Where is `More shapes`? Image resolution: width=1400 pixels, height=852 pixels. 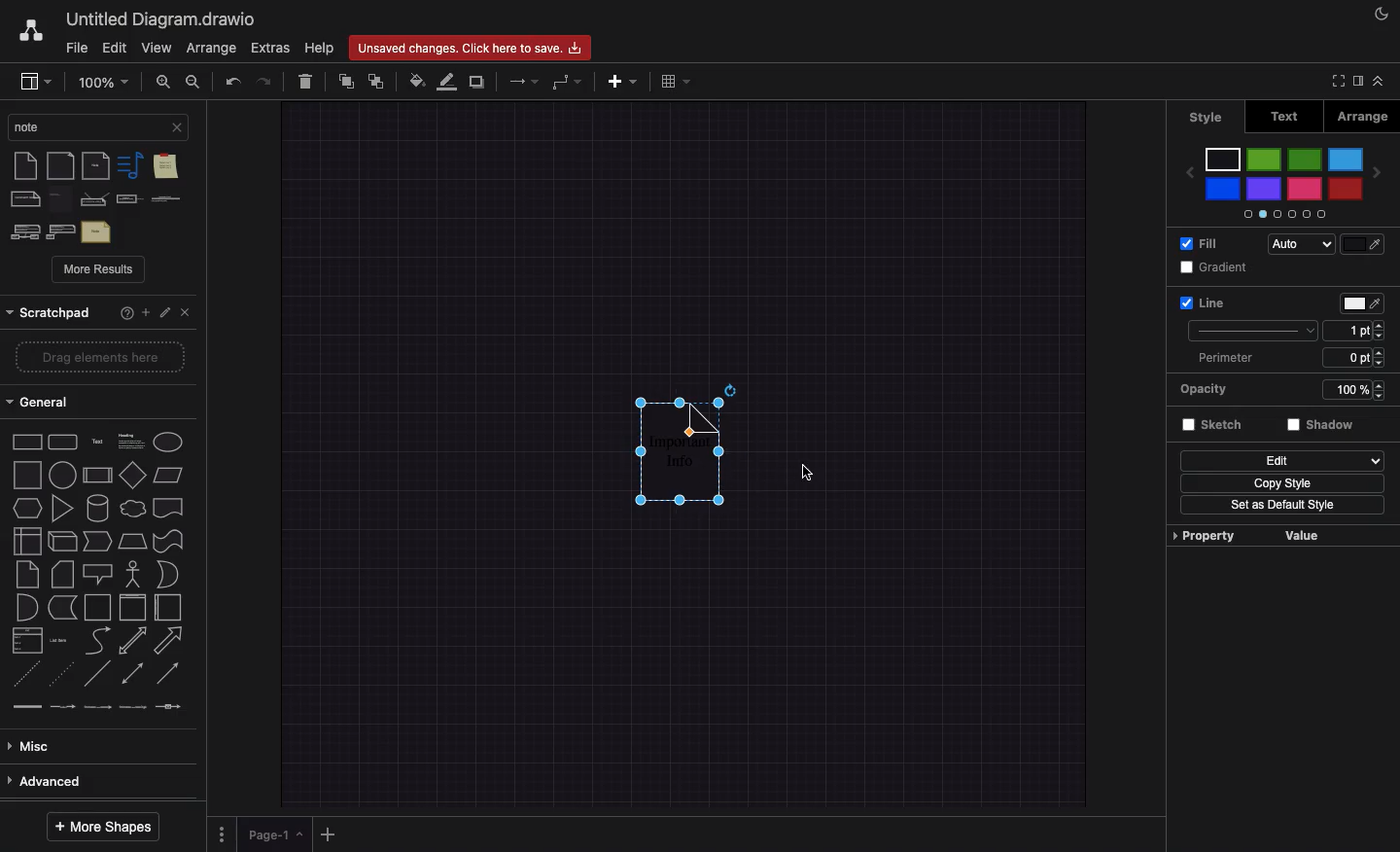 More shapes is located at coordinates (110, 828).